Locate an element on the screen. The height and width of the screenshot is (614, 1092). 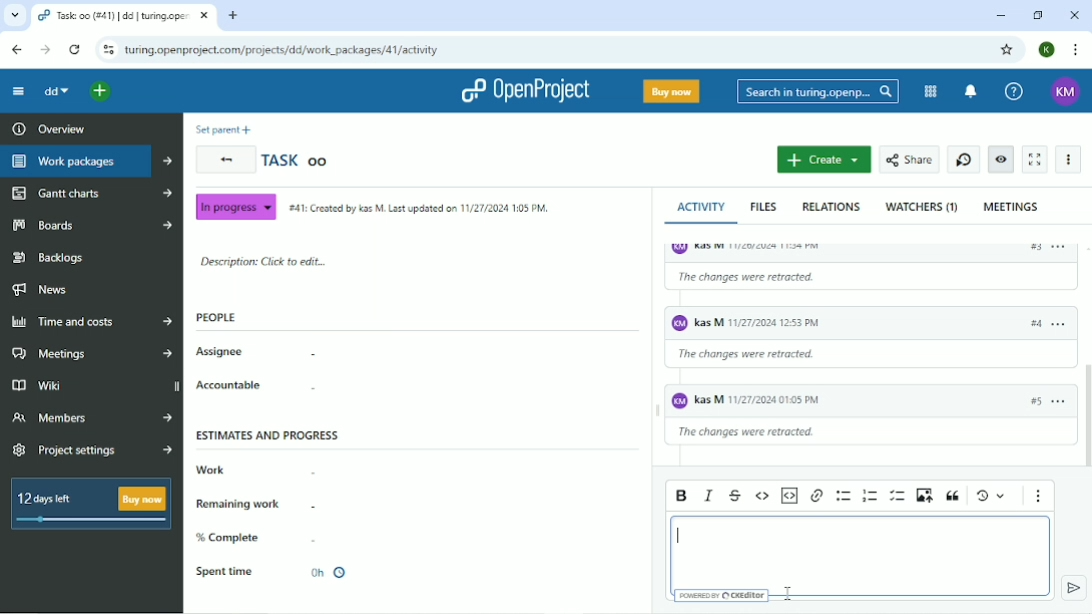
Remaining work is located at coordinates (257, 503).